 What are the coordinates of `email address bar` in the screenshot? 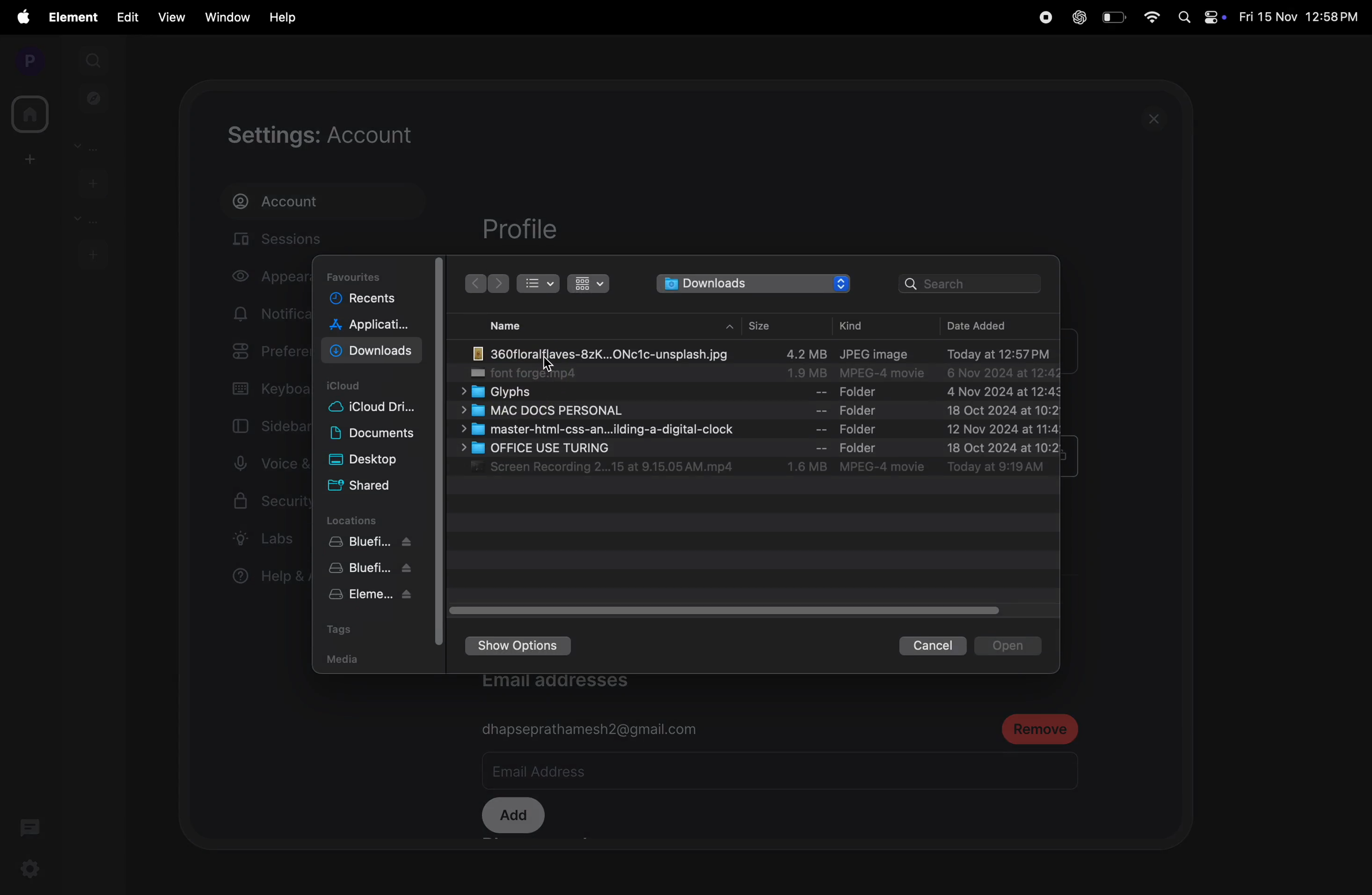 It's located at (642, 773).